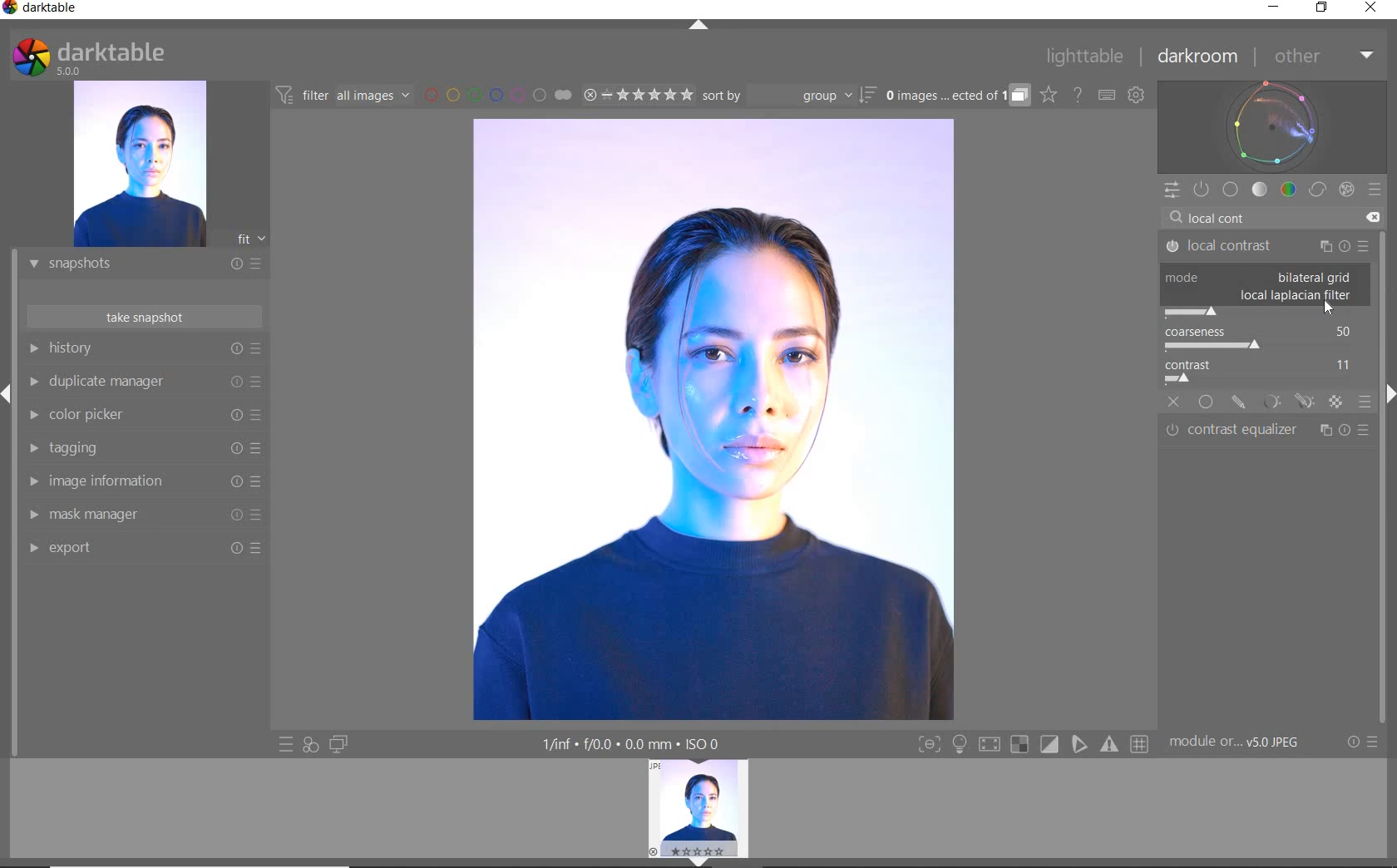  Describe the element at coordinates (139, 547) in the screenshot. I see `EXPORT` at that location.